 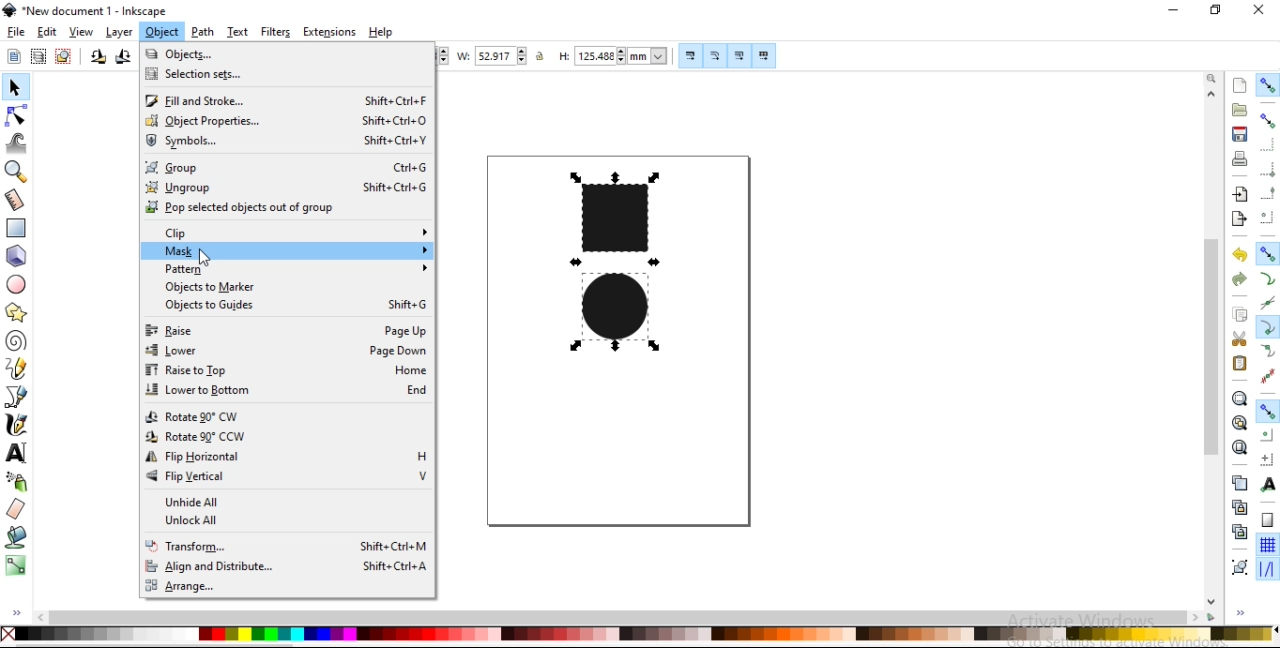 What do you see at coordinates (494, 56) in the screenshot?
I see `width of selection` at bounding box center [494, 56].